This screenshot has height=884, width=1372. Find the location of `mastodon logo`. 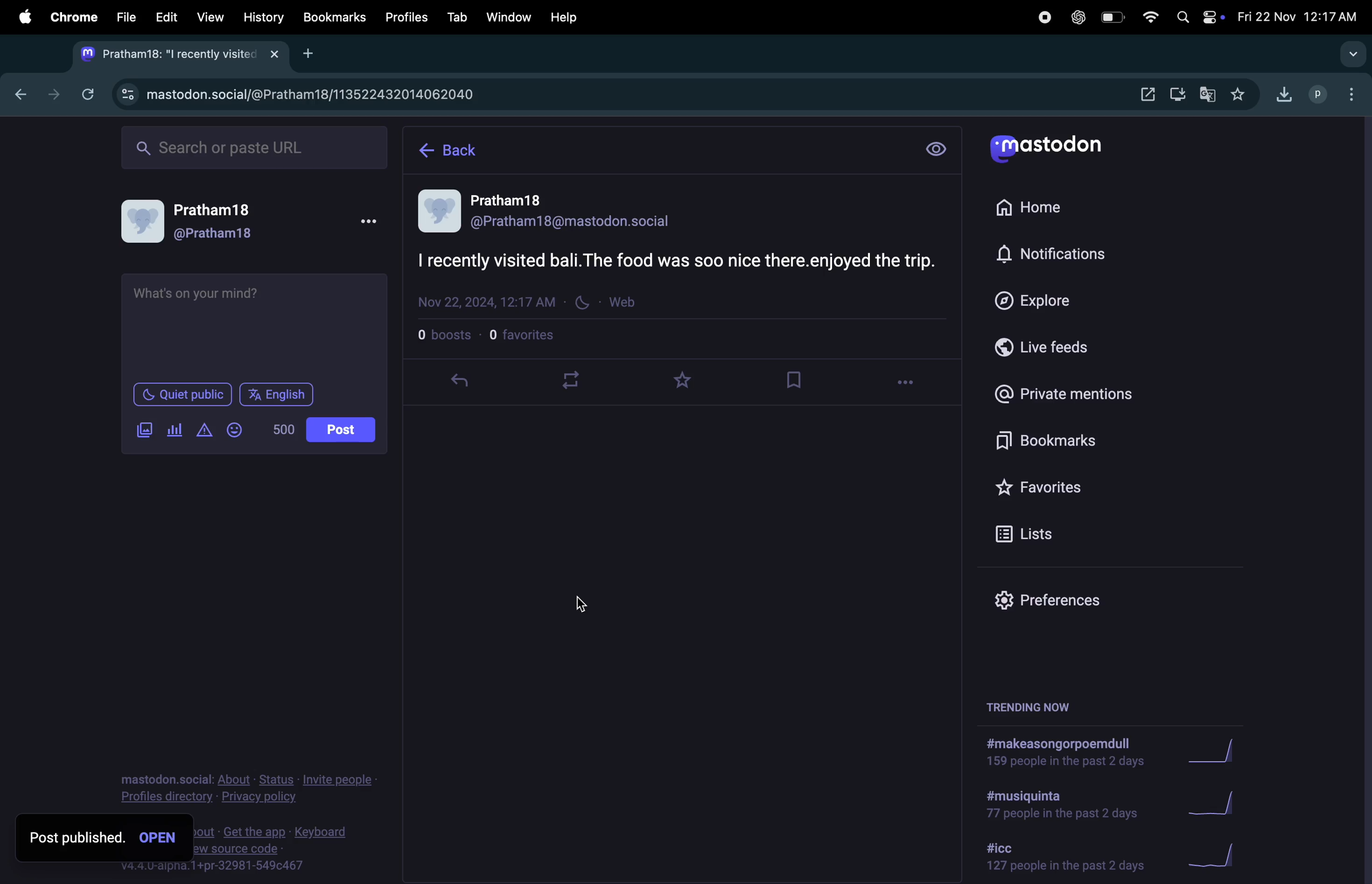

mastodon logo is located at coordinates (1061, 146).